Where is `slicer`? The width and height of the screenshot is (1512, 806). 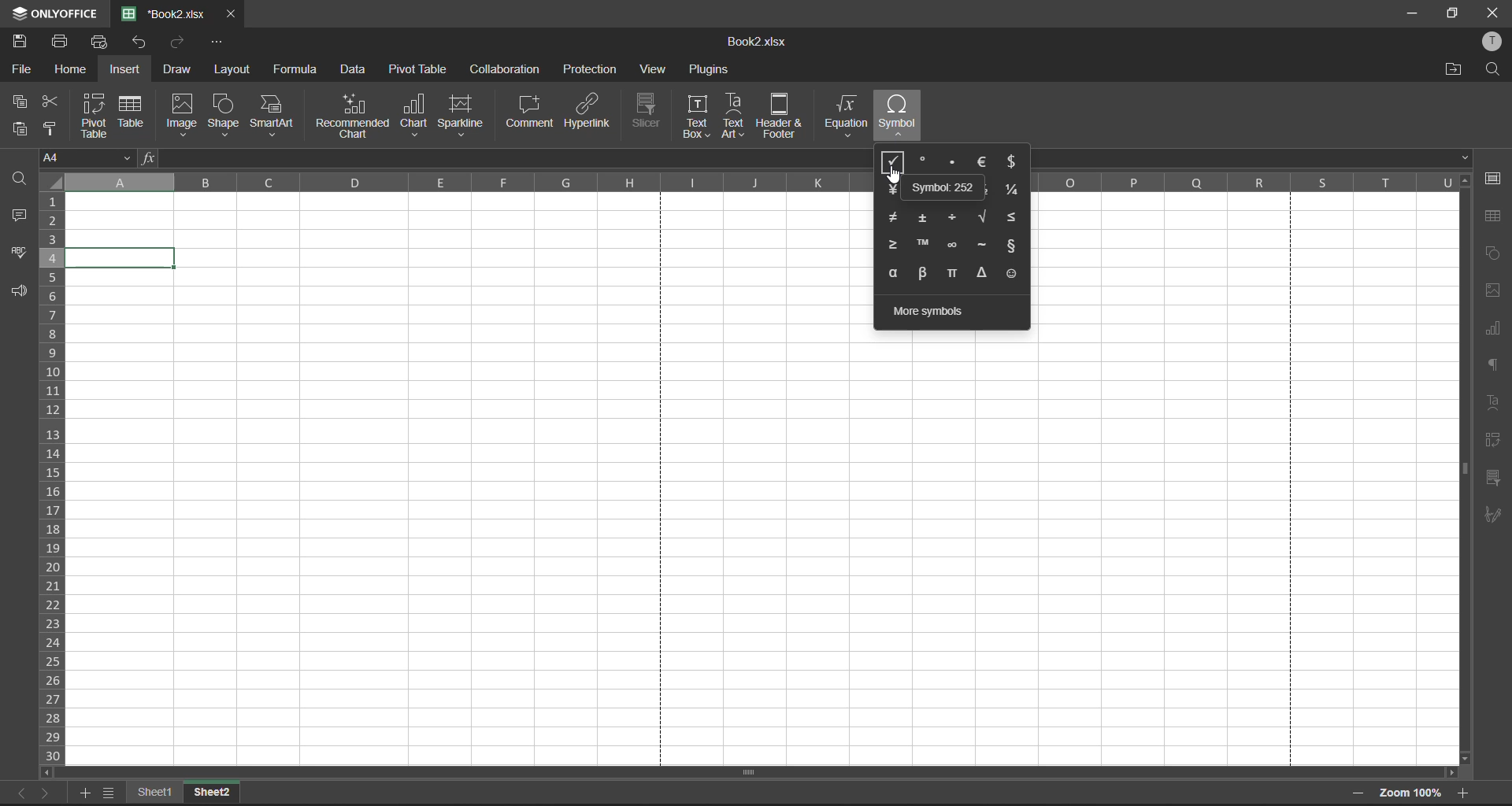
slicer is located at coordinates (647, 113).